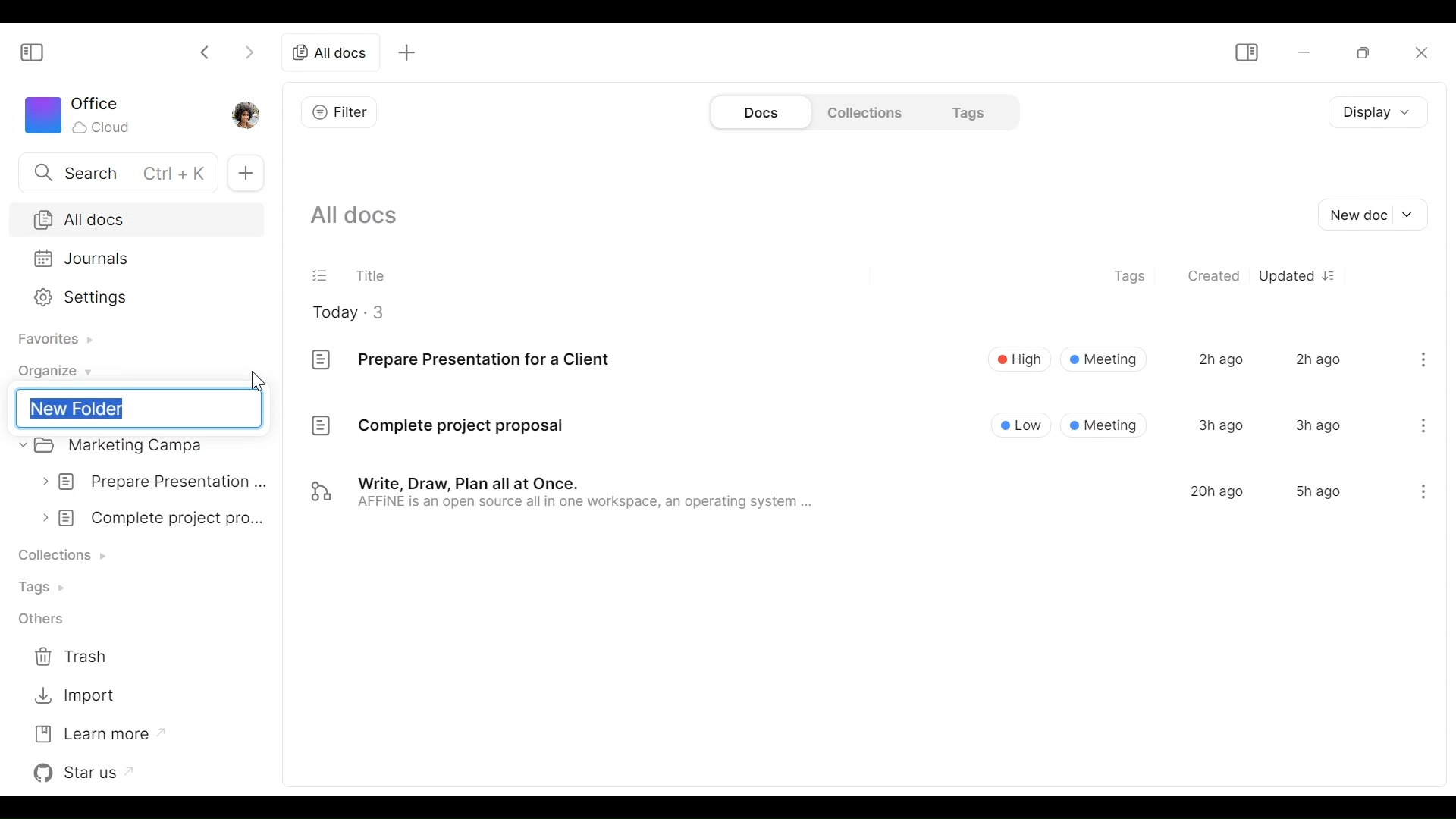 Image resolution: width=1456 pixels, height=819 pixels. I want to click on 3h ago, so click(1317, 425).